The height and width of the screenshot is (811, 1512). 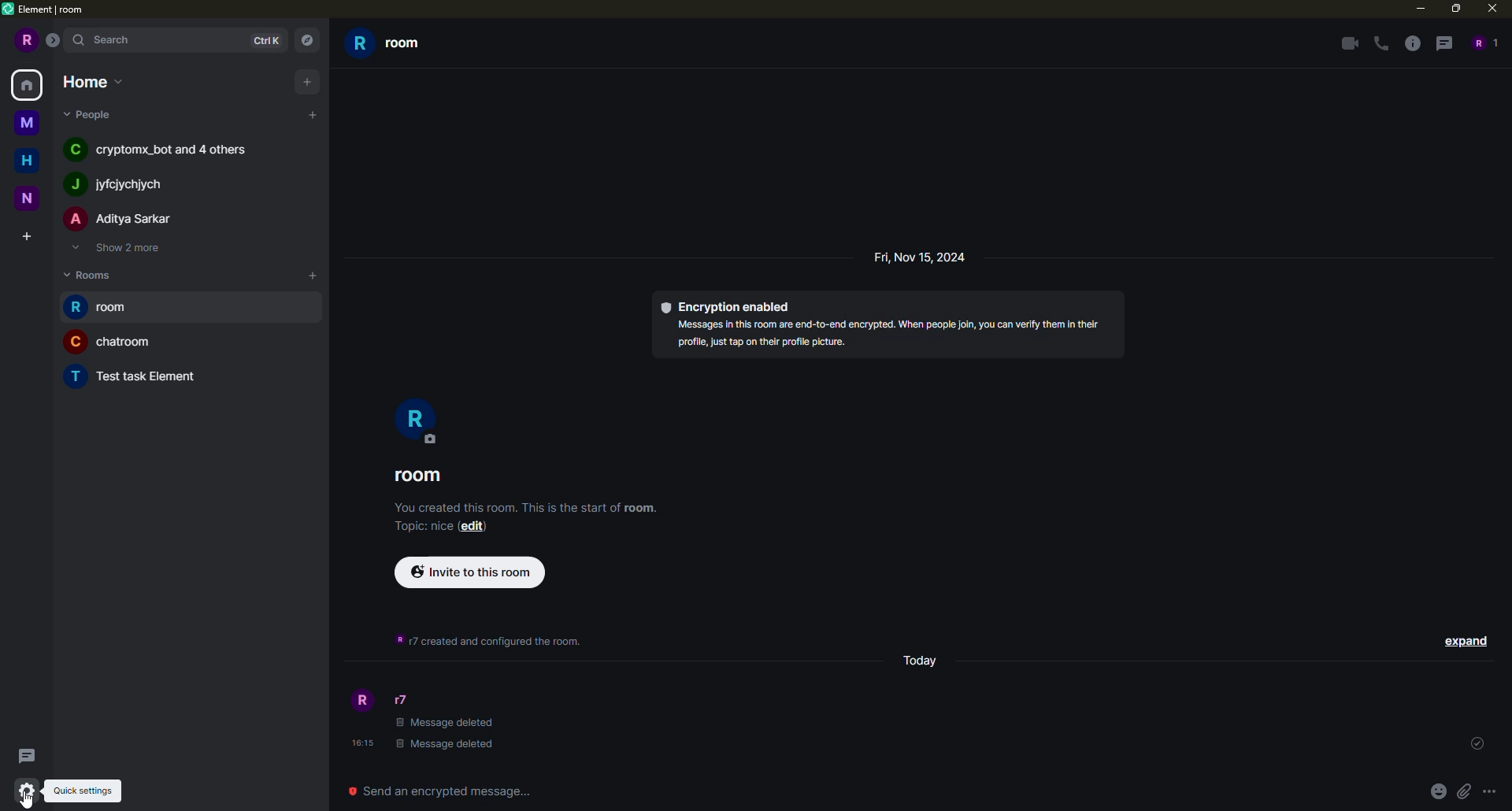 What do you see at coordinates (24, 40) in the screenshot?
I see `profile` at bounding box center [24, 40].